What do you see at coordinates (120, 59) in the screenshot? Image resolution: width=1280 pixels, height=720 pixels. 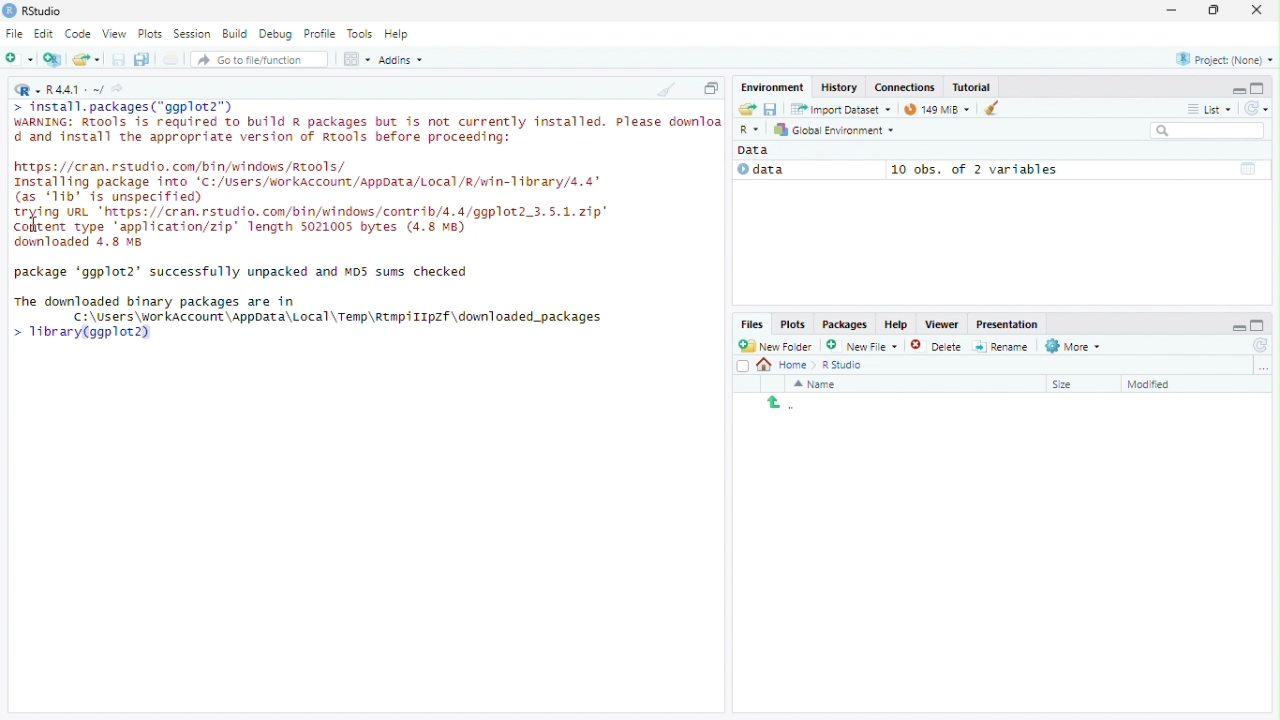 I see `Save current document` at bounding box center [120, 59].